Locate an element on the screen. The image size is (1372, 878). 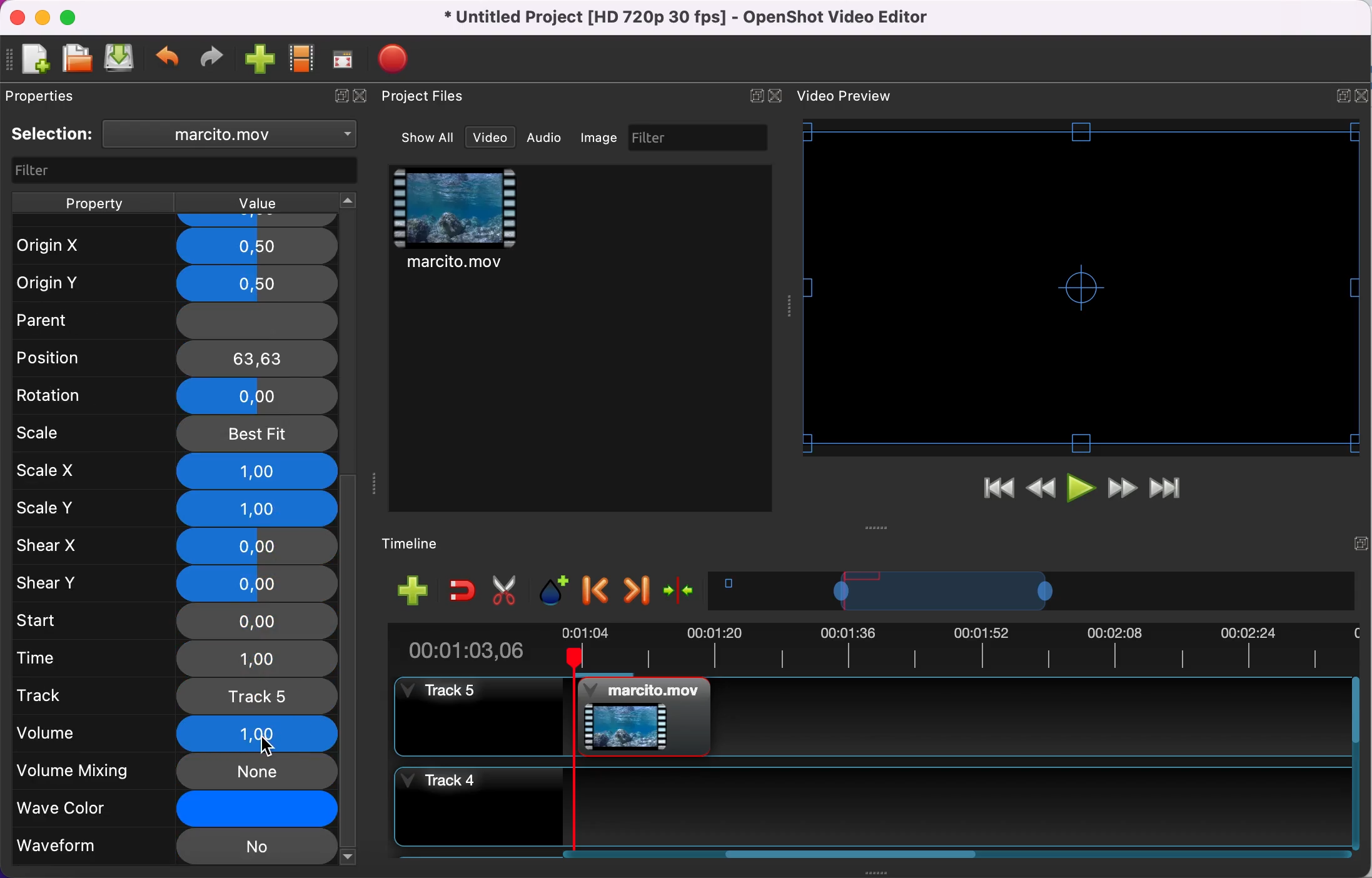
expand/hide is located at coordinates (338, 97).